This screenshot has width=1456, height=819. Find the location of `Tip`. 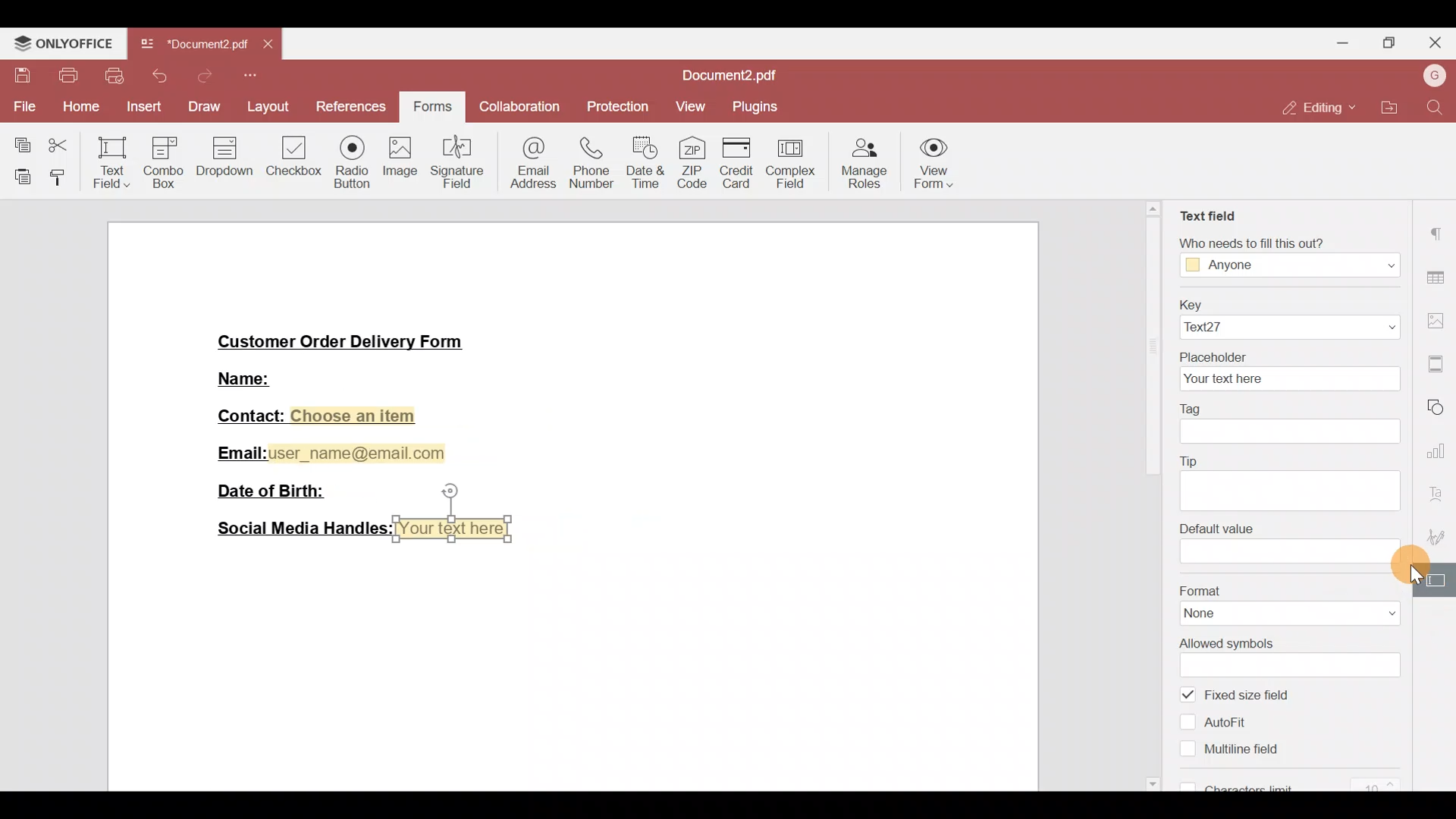

Tip is located at coordinates (1285, 482).